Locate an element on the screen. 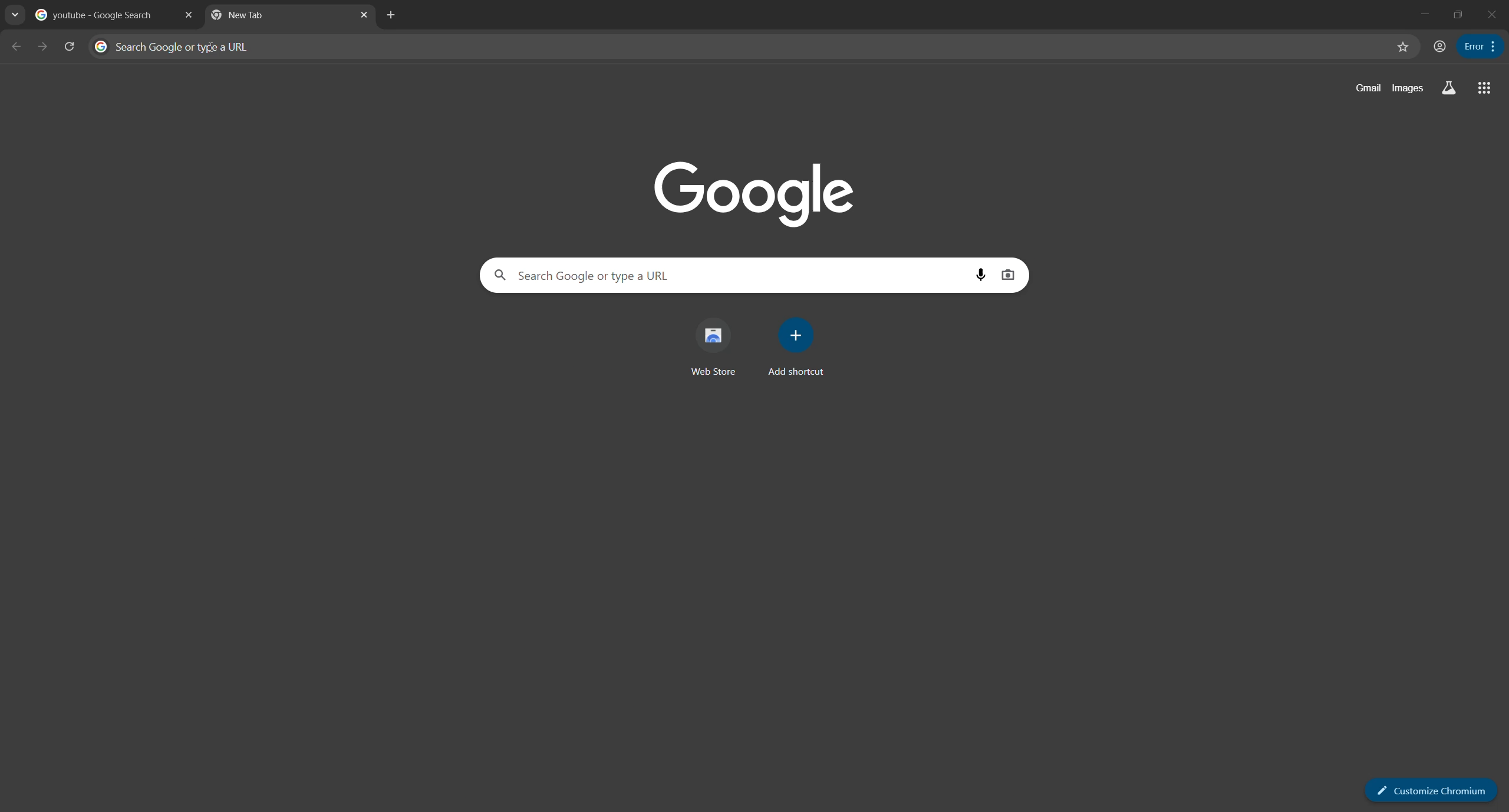 This screenshot has width=1509, height=812. customize chromium is located at coordinates (1426, 787).